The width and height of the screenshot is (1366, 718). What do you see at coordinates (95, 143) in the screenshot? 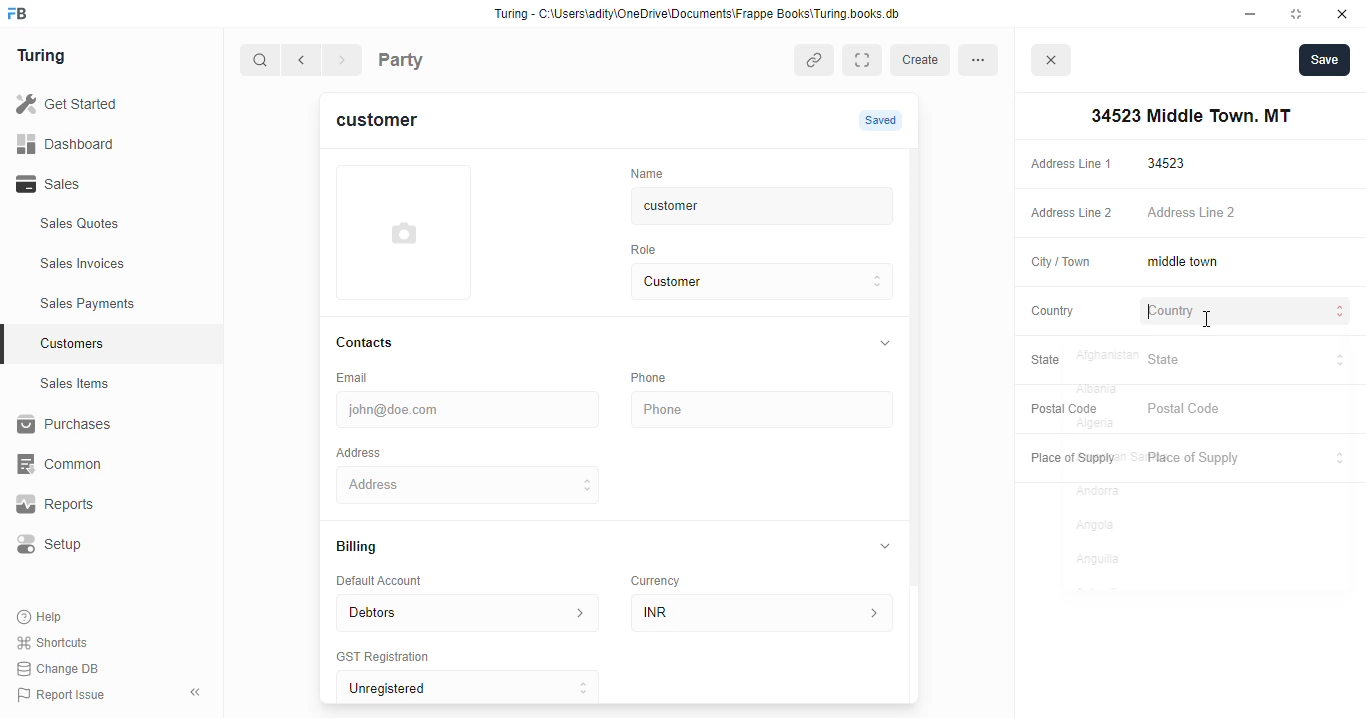
I see `Dashboard` at bounding box center [95, 143].